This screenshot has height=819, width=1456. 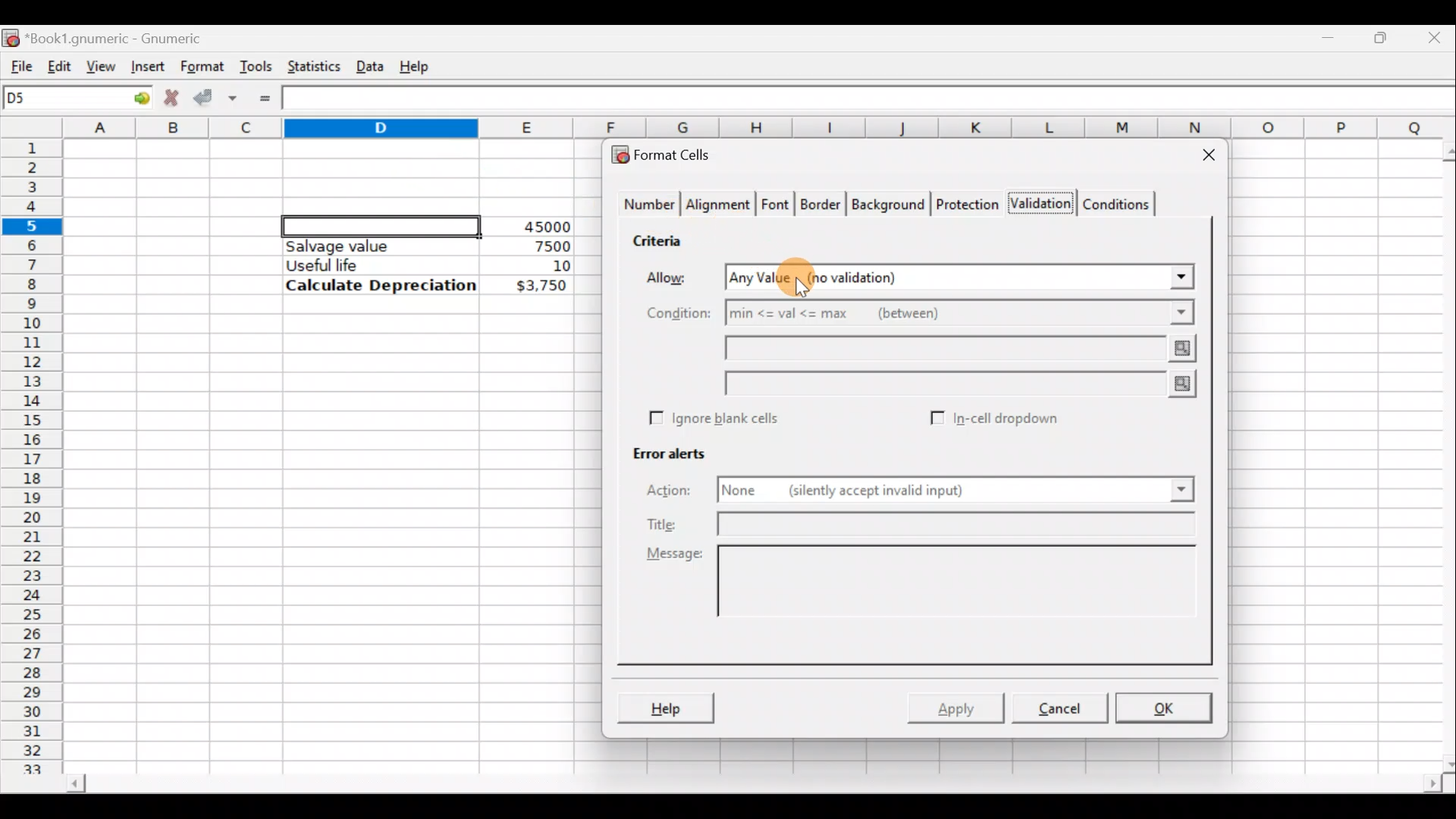 What do you see at coordinates (124, 37) in the screenshot?
I see `Book1.gnumeric - Gnumeric` at bounding box center [124, 37].